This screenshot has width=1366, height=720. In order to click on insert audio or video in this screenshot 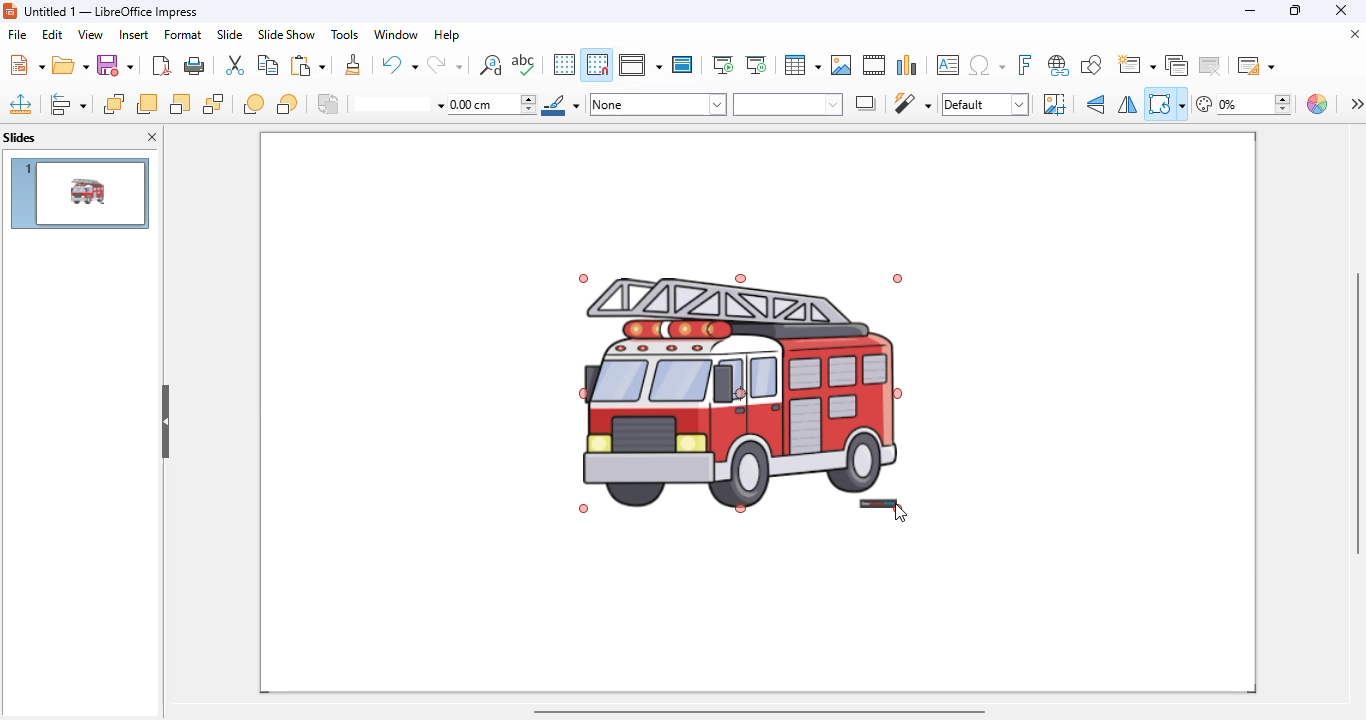, I will do `click(874, 65)`.